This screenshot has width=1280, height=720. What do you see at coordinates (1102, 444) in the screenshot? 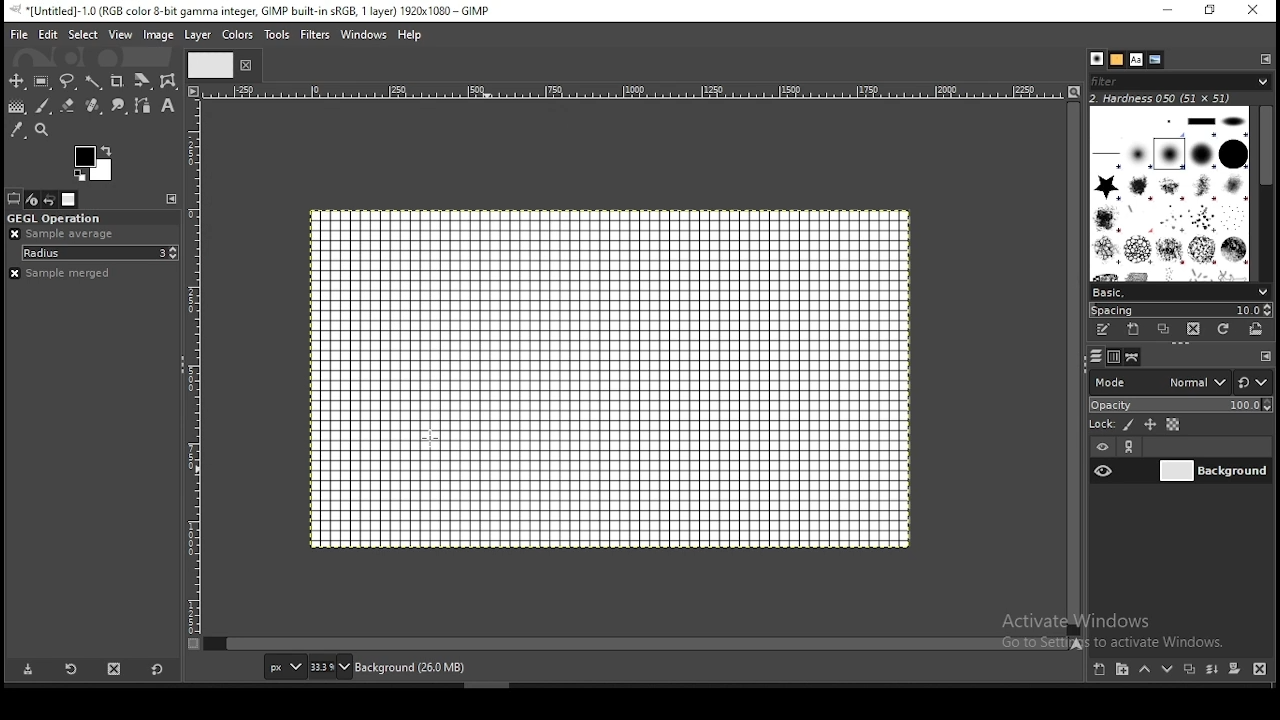
I see `layer visibility` at bounding box center [1102, 444].